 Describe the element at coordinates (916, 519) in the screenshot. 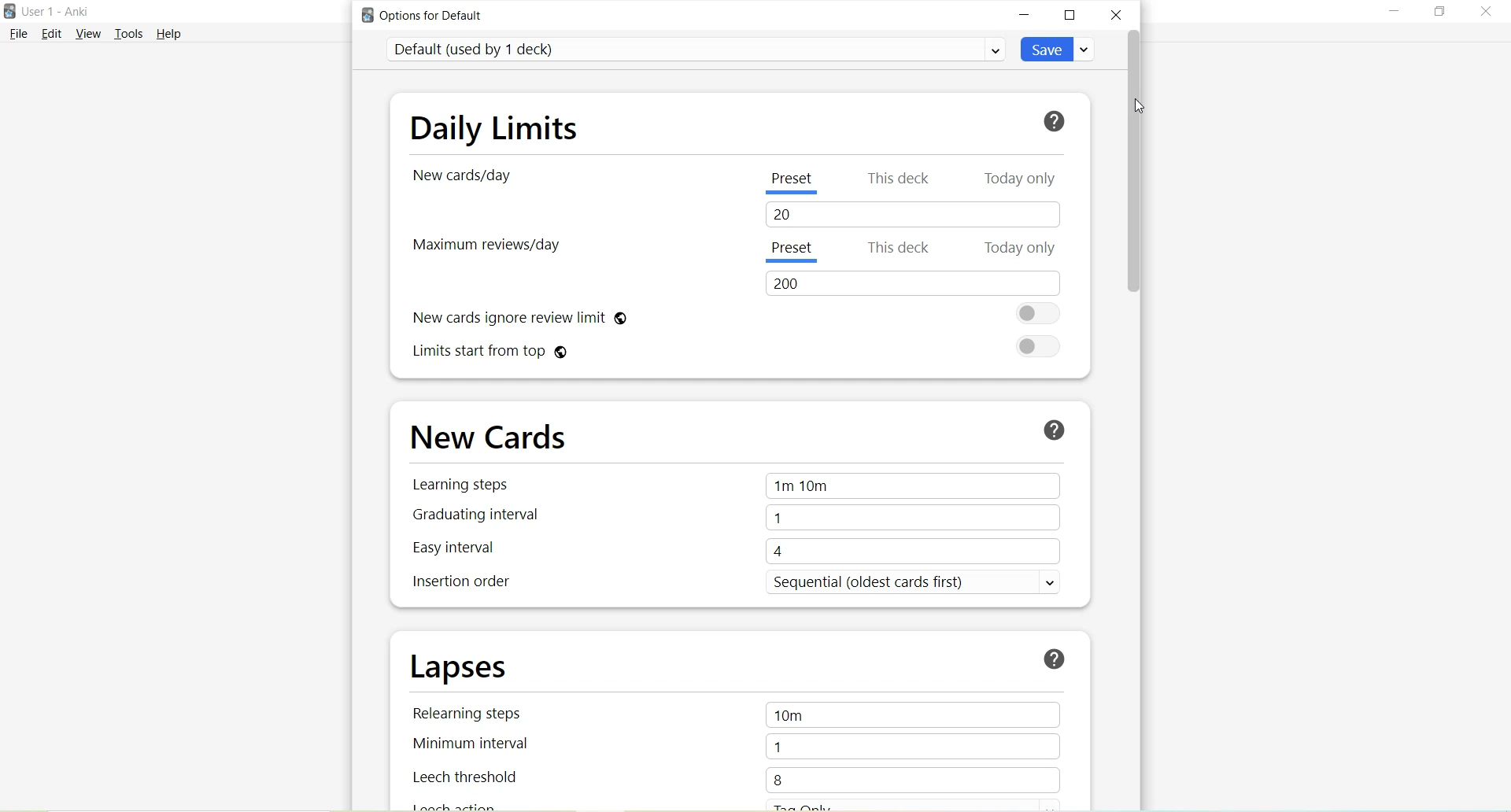

I see `1` at that location.